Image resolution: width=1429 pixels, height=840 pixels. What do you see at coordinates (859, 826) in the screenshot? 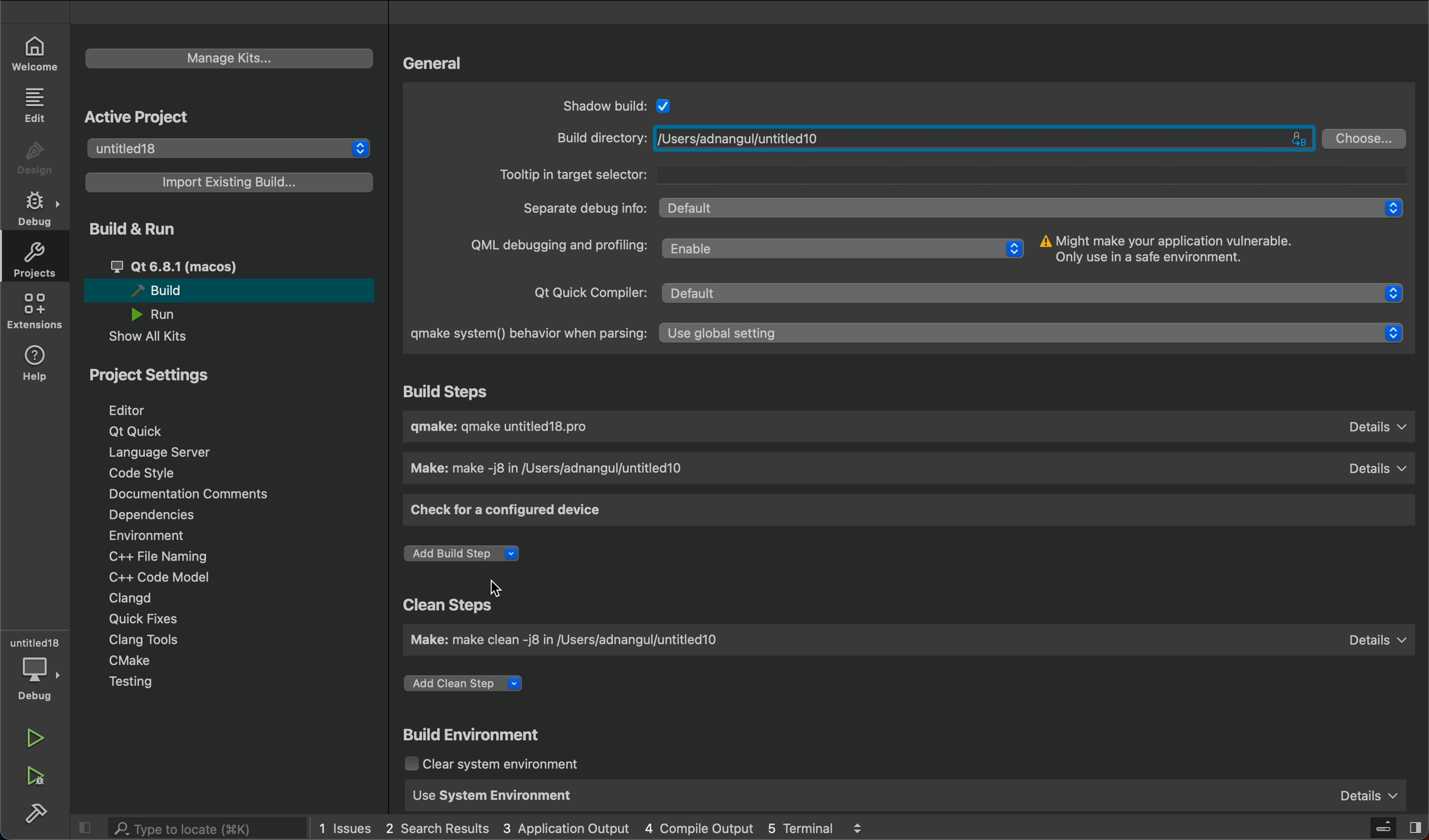
I see `logs` at bounding box center [859, 826].